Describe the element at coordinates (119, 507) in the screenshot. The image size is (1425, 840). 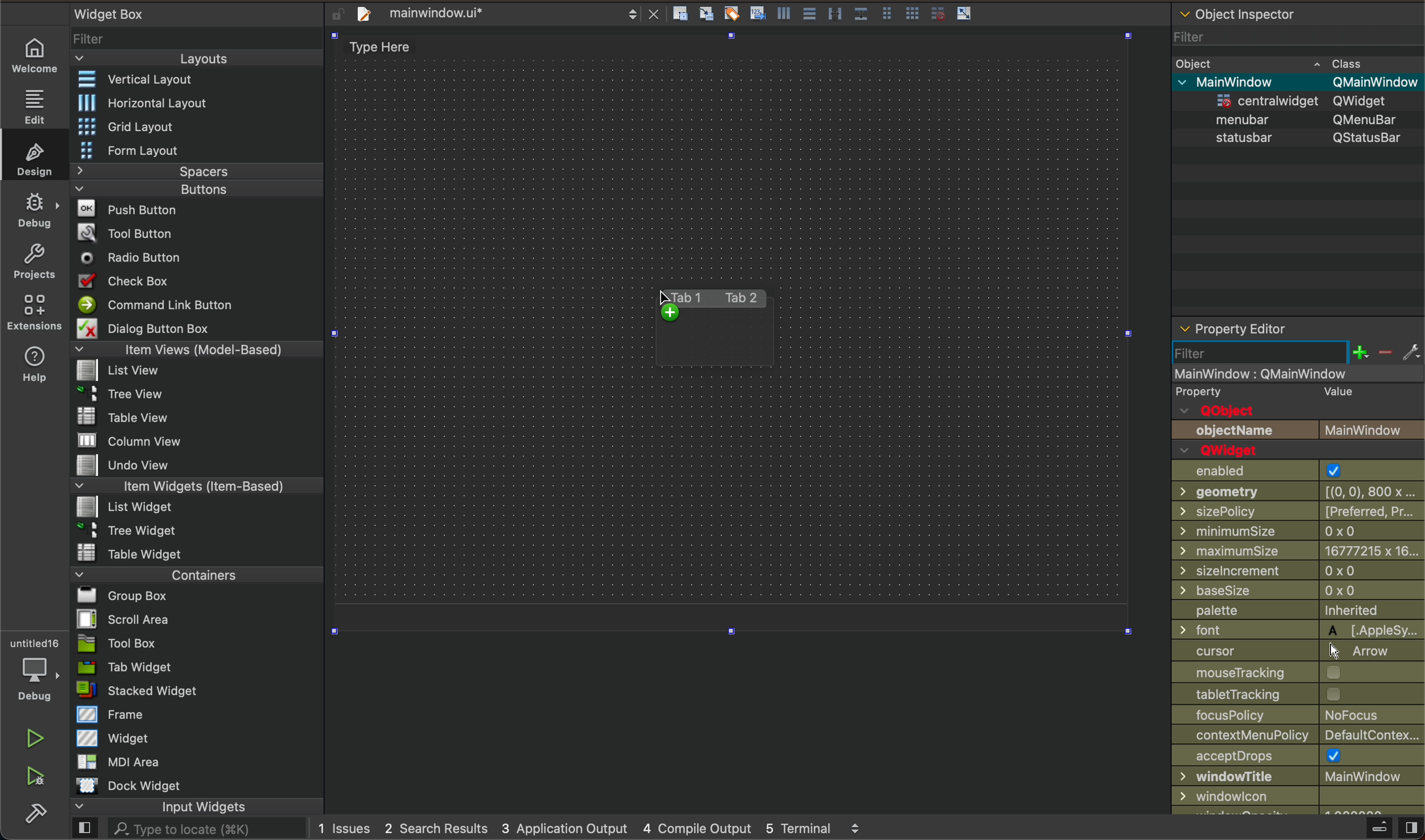
I see `List widget` at that location.